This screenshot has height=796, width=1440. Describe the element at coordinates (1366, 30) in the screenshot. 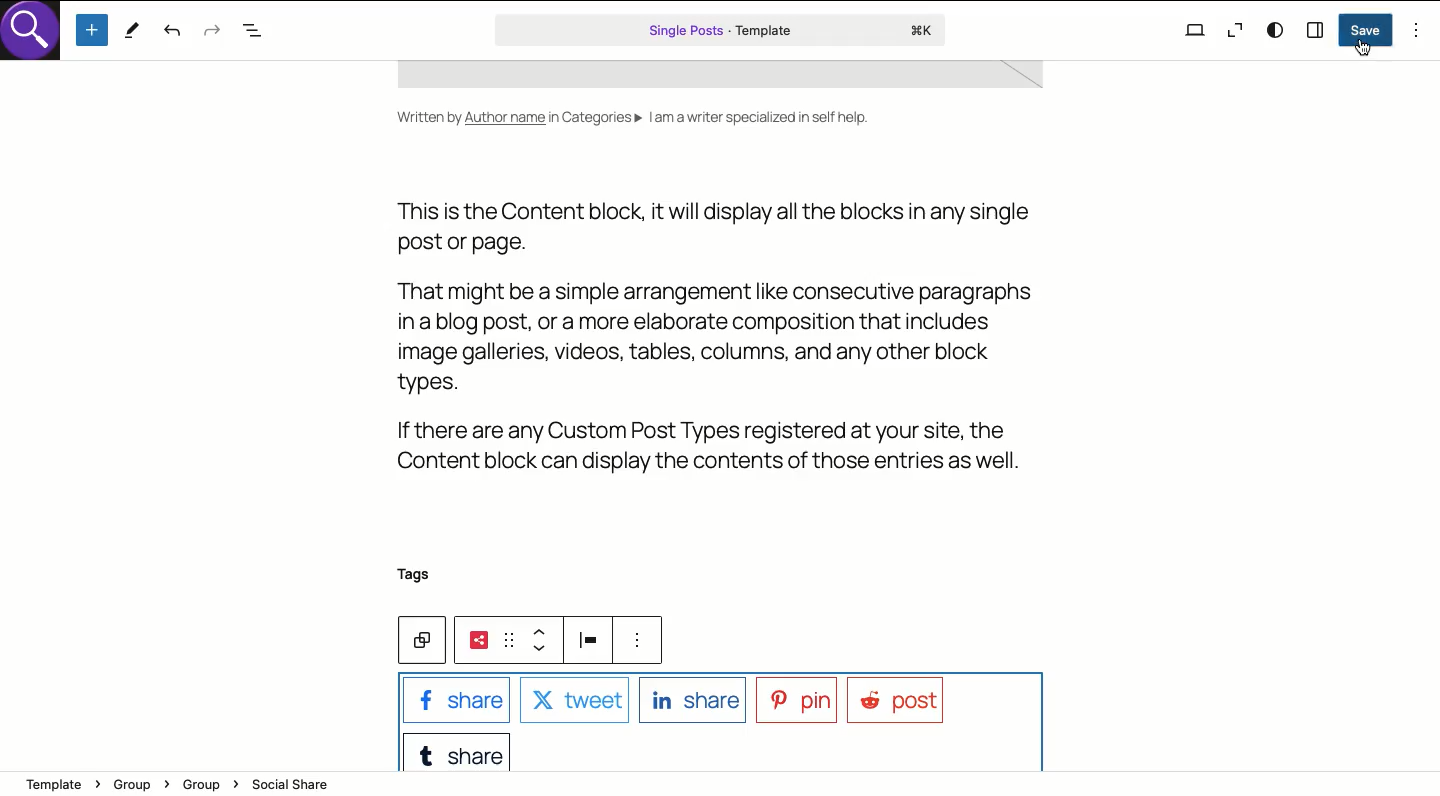

I see `Save` at that location.